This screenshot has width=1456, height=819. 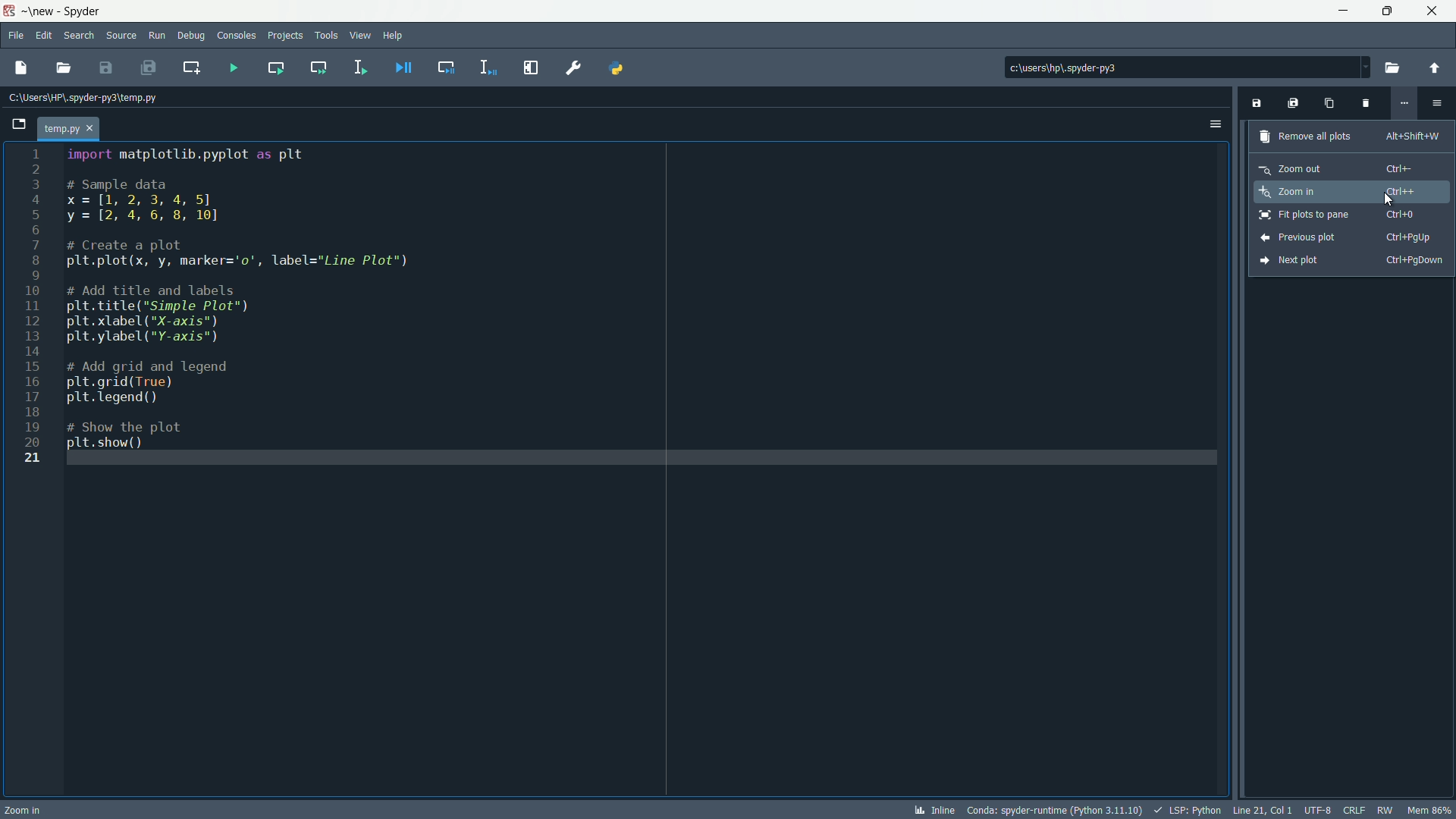 I want to click on directory, so click(x=1130, y=66).